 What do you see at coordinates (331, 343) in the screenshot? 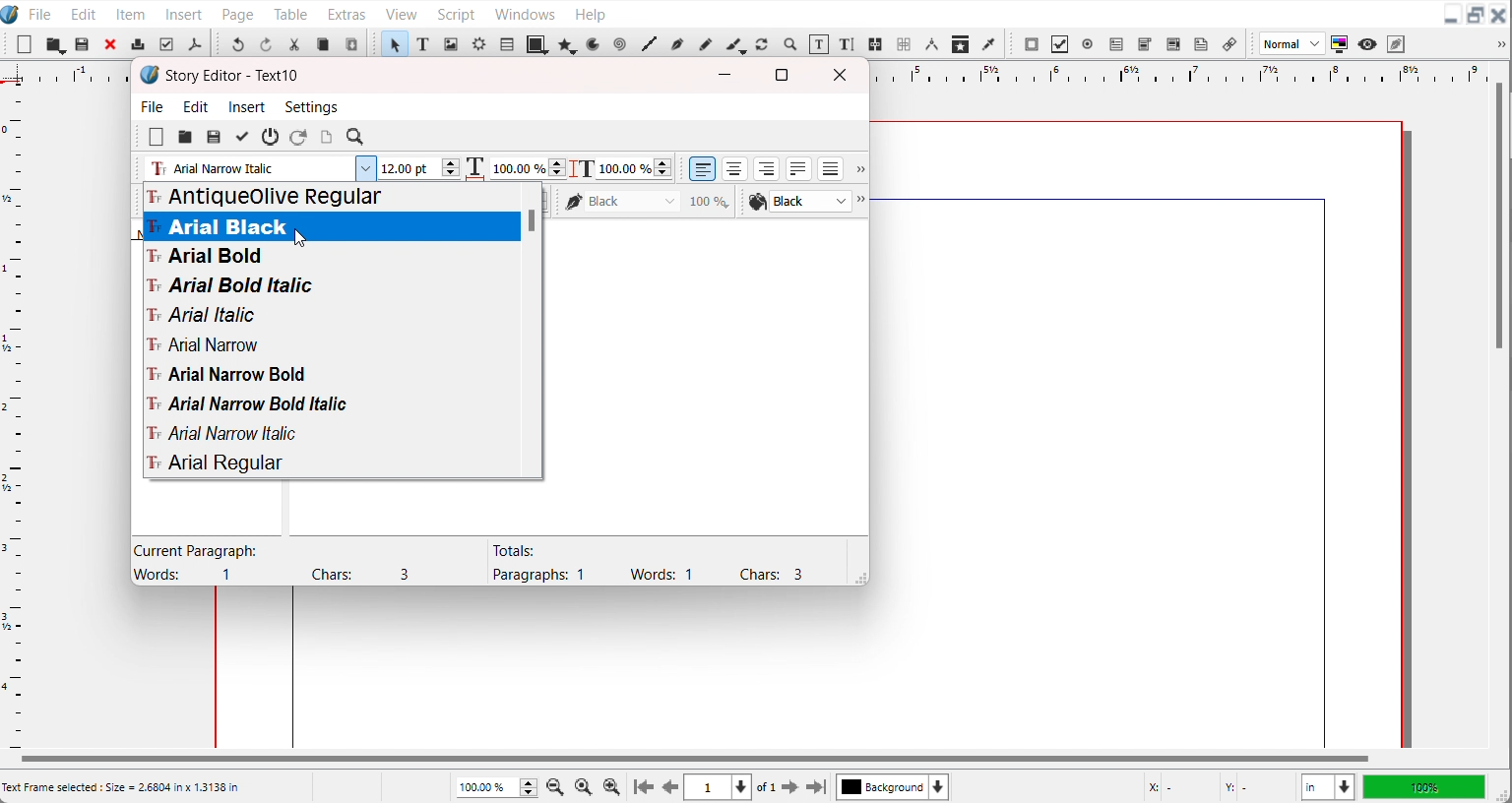
I see `Font` at bounding box center [331, 343].